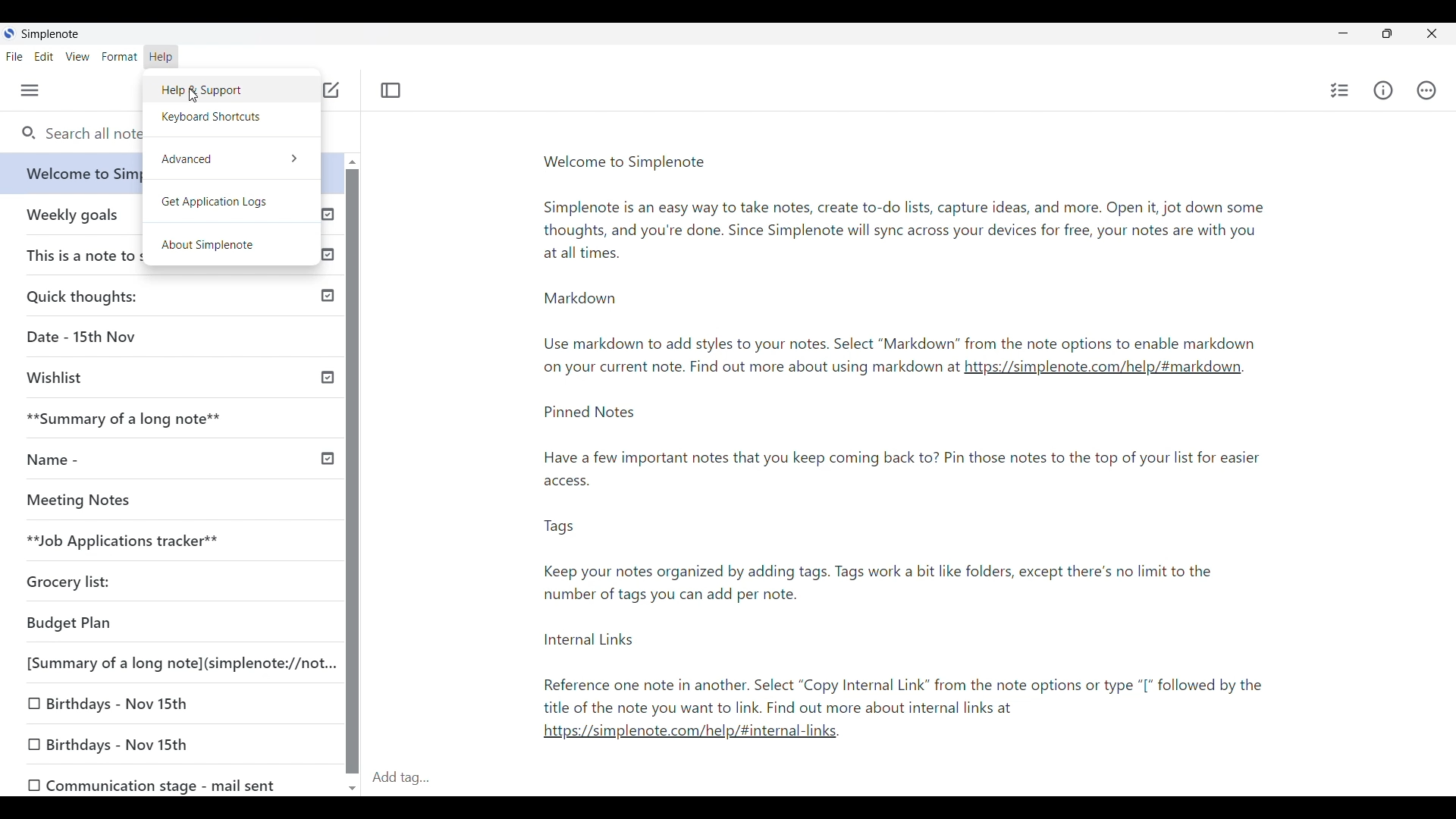 The image size is (1456, 819). I want to click on Quick slide to bottom, so click(353, 789).